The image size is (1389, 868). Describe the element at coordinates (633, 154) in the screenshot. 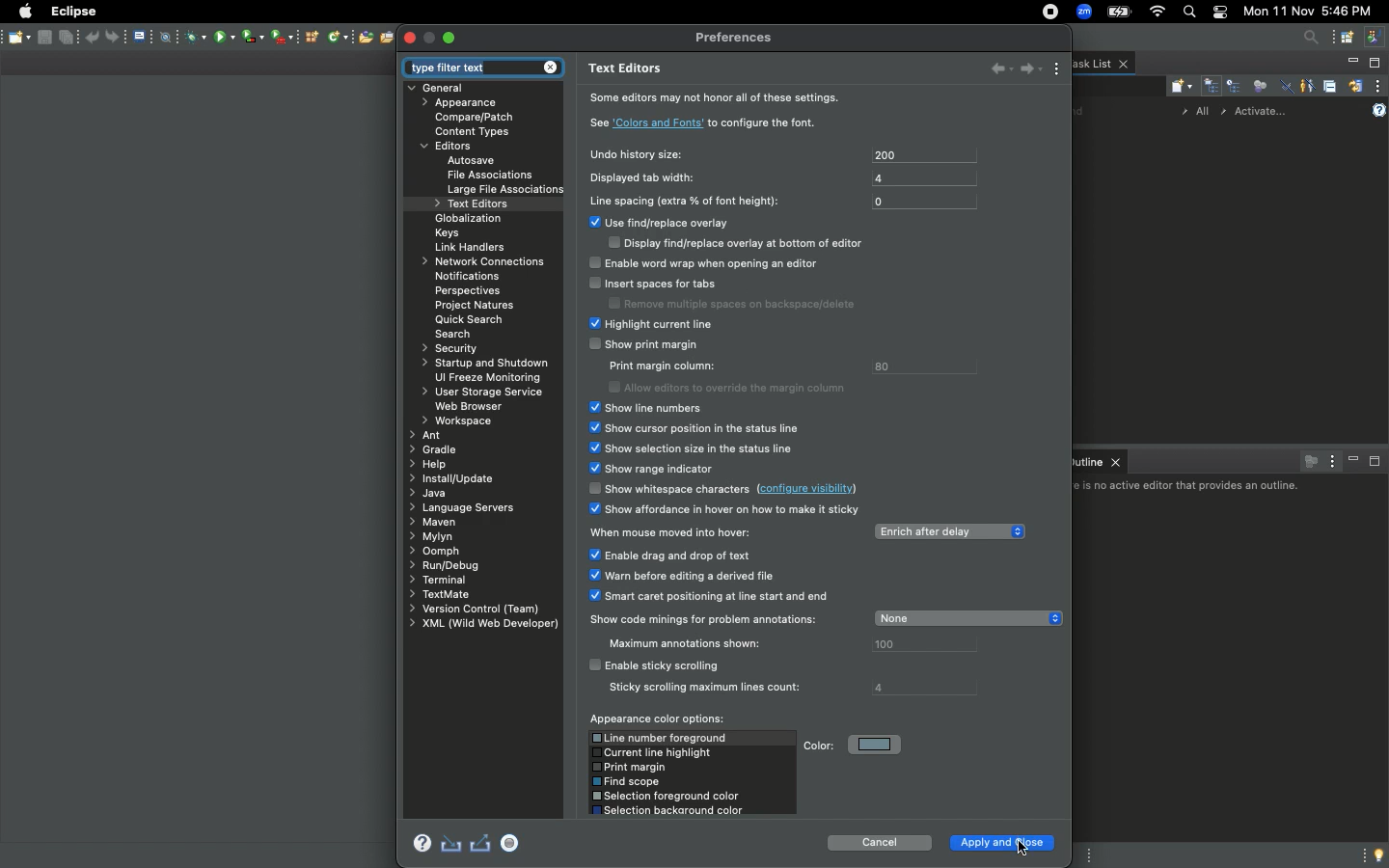

I see `Undo history size` at that location.